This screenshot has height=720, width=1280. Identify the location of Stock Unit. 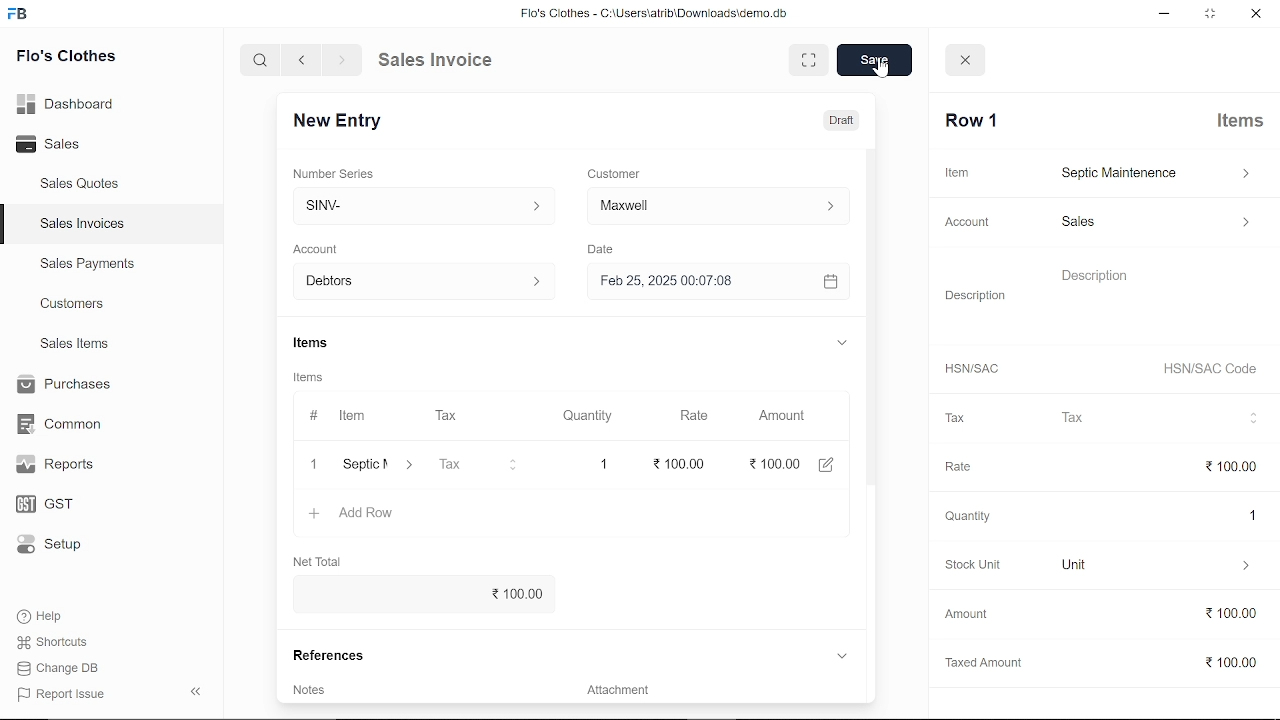
(968, 565).